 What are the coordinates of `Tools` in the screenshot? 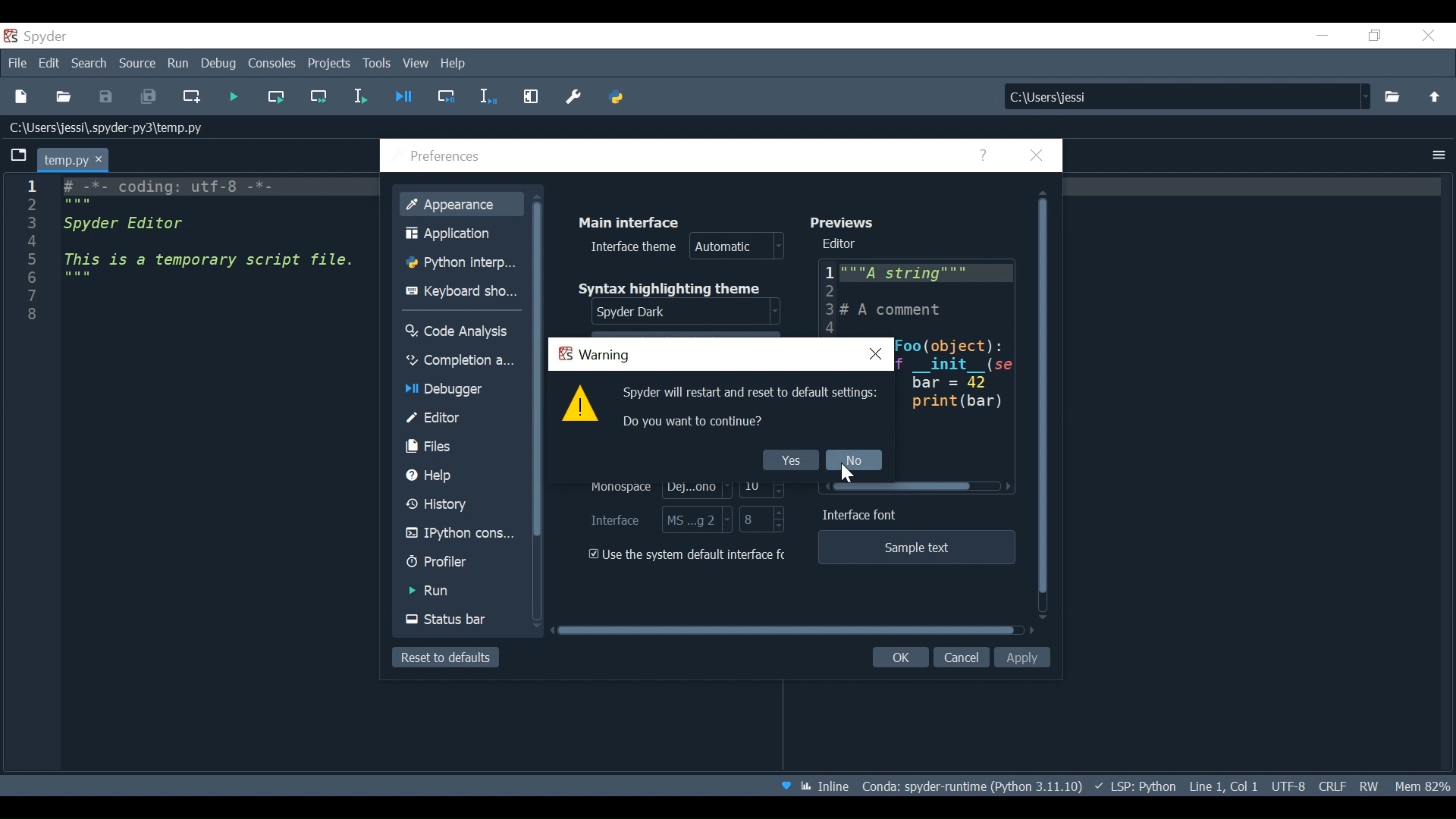 It's located at (375, 64).